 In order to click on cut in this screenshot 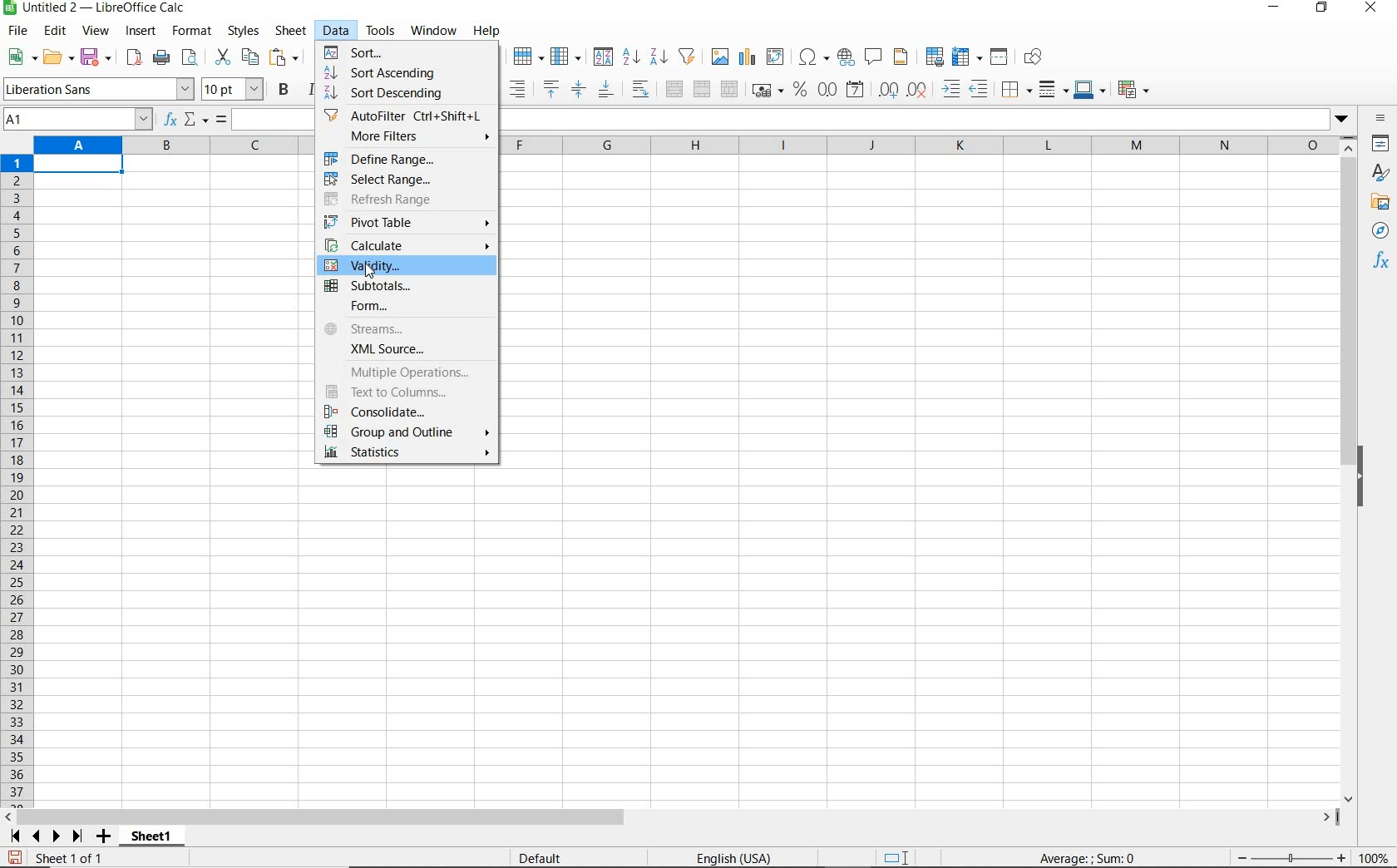, I will do `click(222, 57)`.